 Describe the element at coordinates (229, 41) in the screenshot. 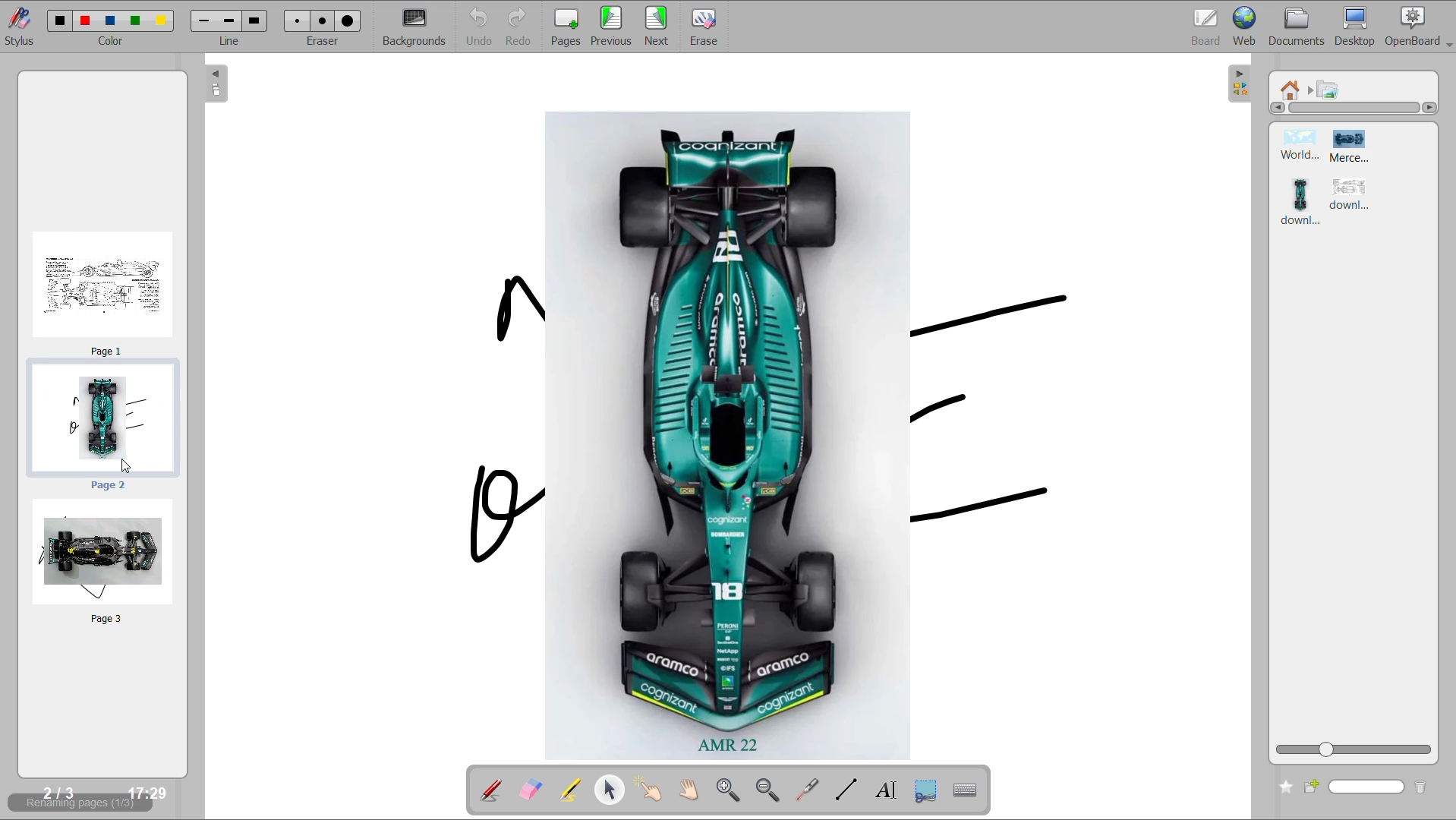

I see `line` at that location.